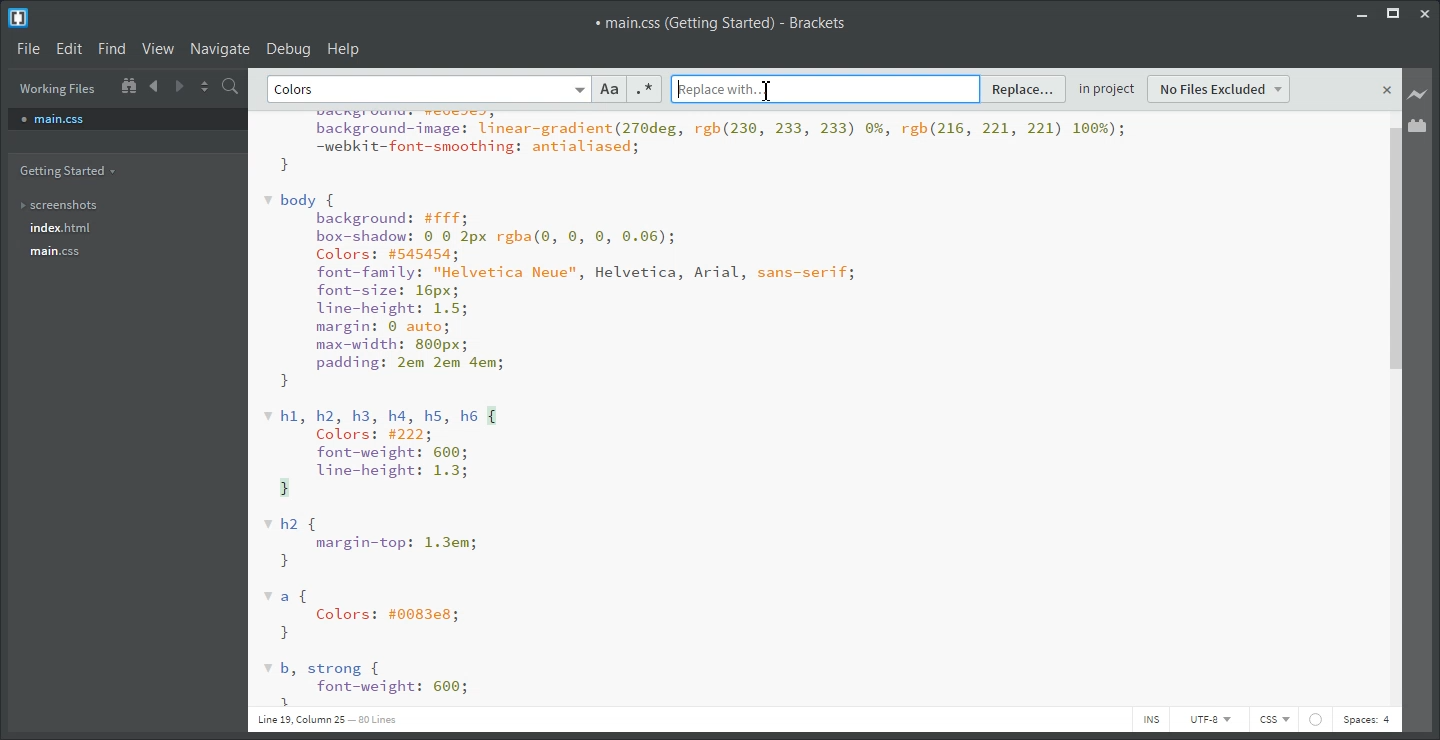 This screenshot has height=740, width=1440. What do you see at coordinates (344, 48) in the screenshot?
I see `Help` at bounding box center [344, 48].